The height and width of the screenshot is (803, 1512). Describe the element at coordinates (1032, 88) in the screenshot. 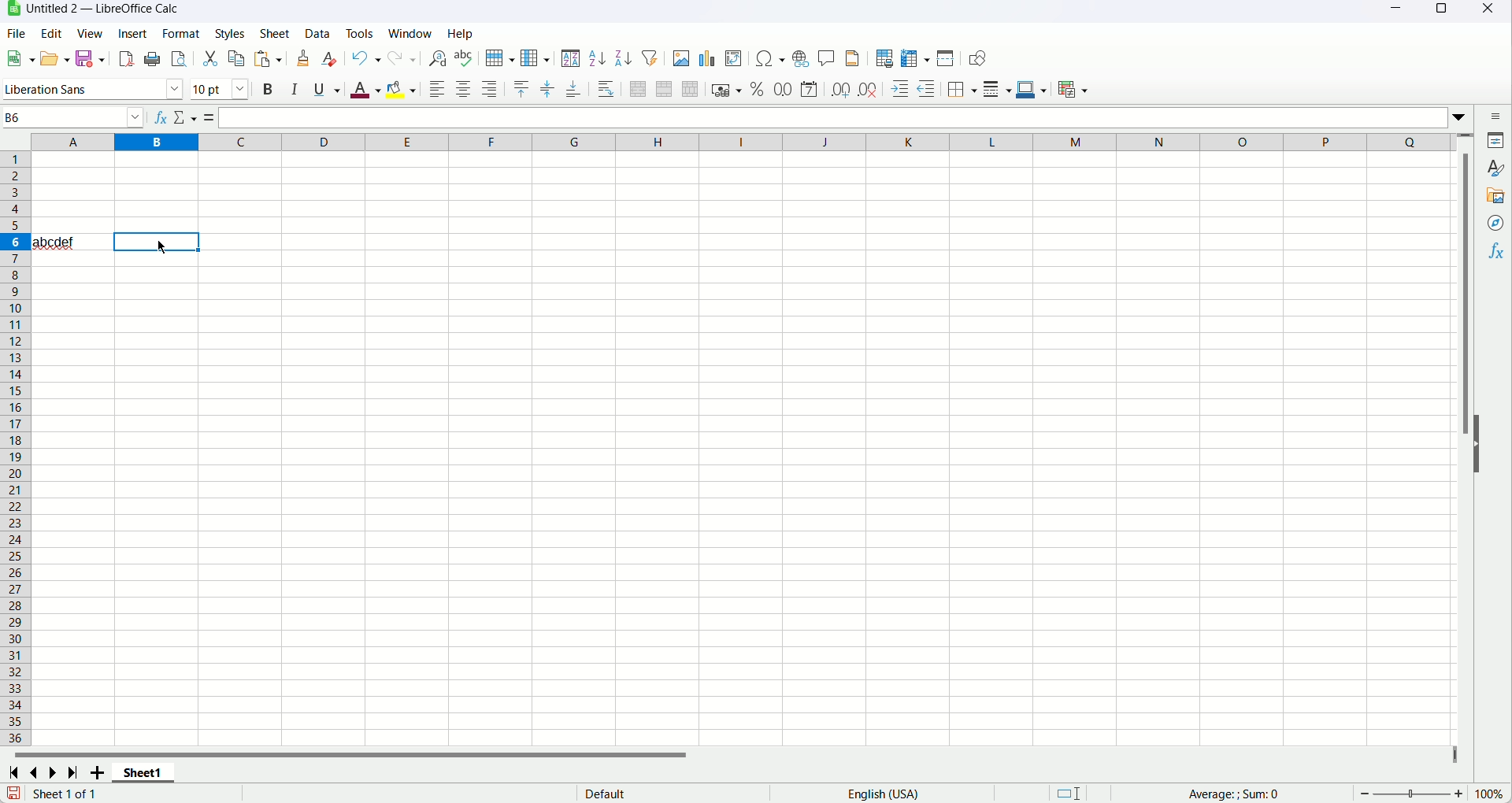

I see `border color` at that location.